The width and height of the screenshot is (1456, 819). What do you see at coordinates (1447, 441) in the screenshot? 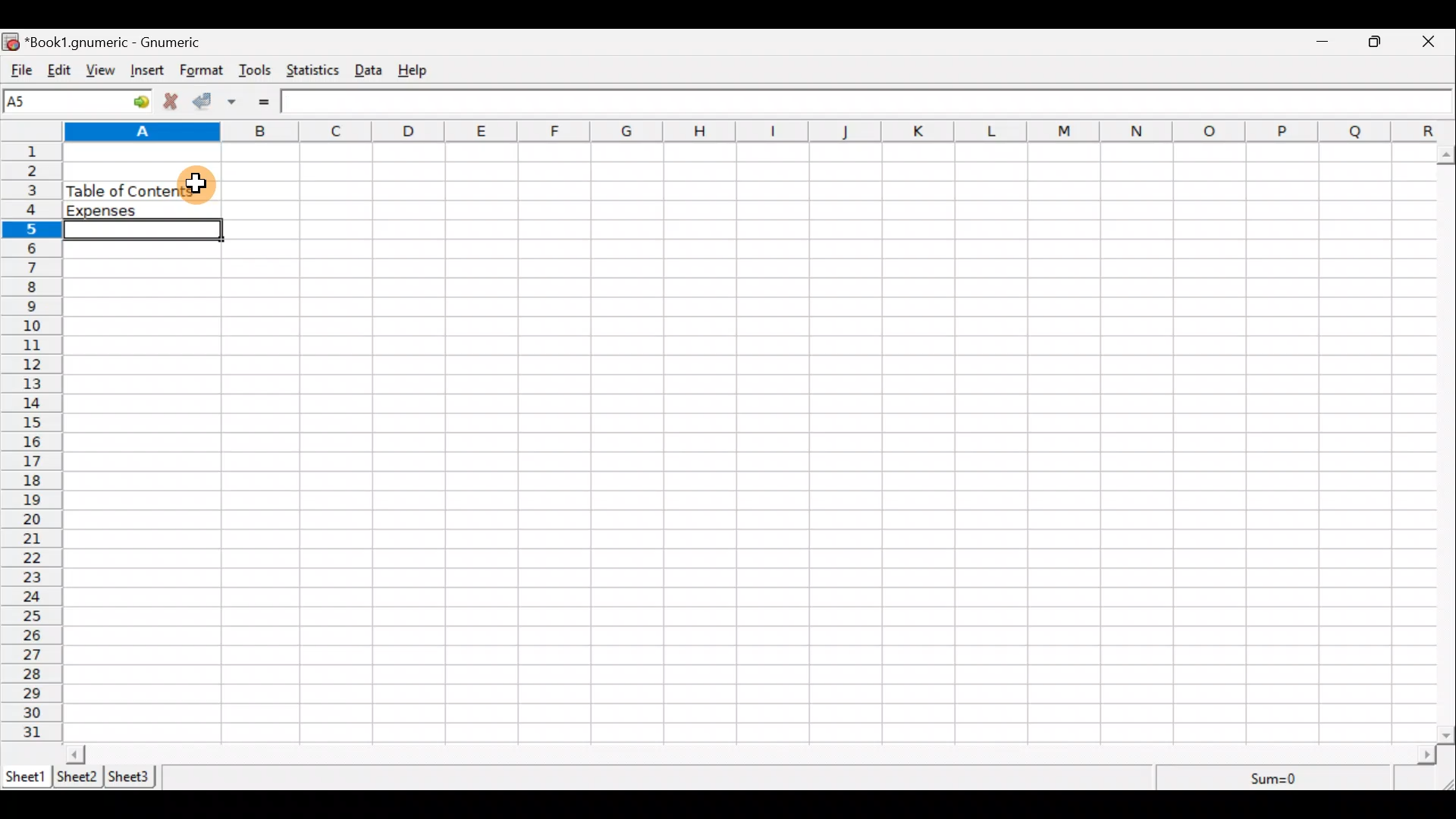
I see `Scroll bar` at bounding box center [1447, 441].